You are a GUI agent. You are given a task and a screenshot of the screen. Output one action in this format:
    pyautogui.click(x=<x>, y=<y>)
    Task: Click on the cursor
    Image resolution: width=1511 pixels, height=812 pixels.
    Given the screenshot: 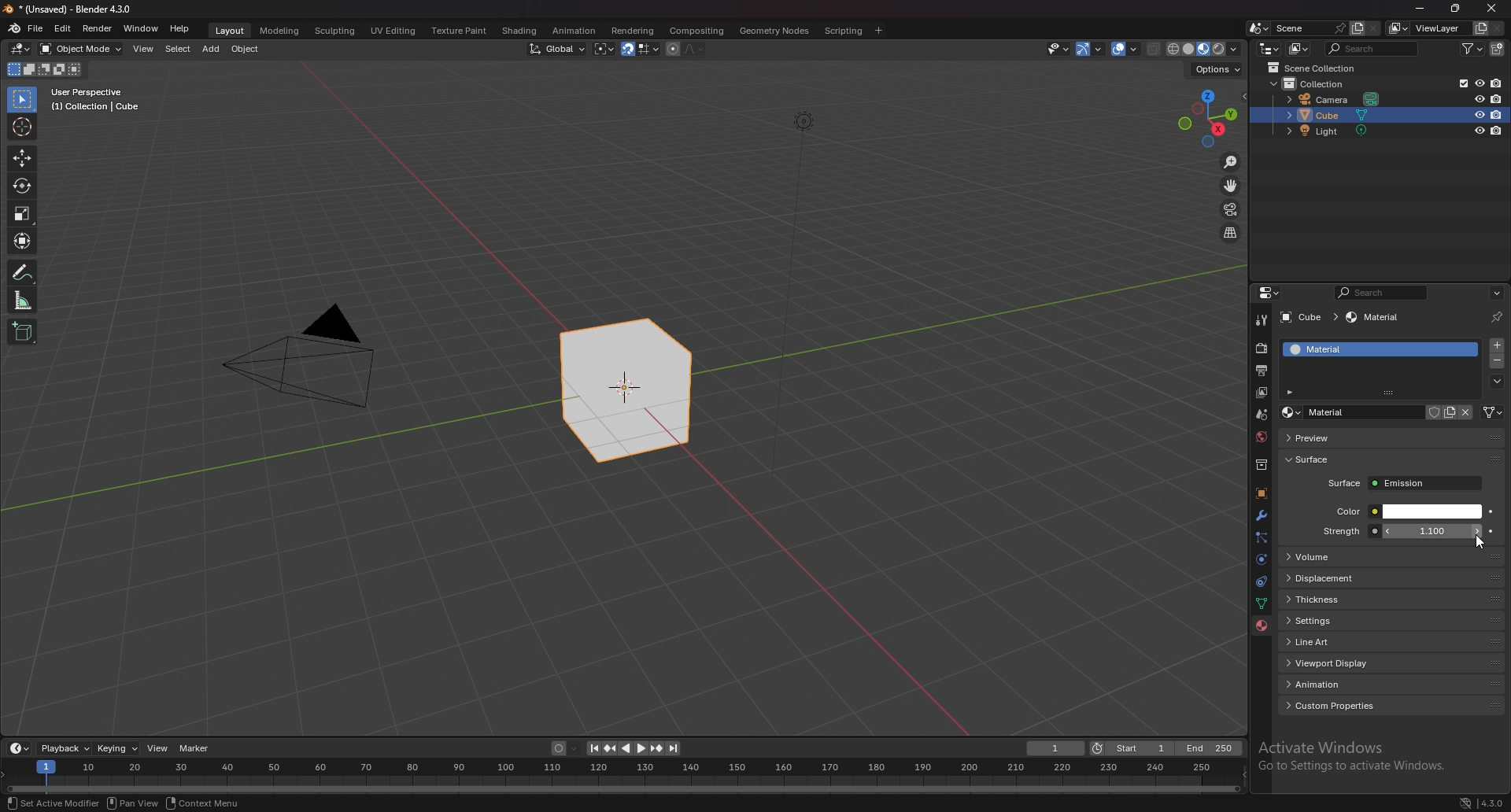 What is the action you would take?
    pyautogui.click(x=23, y=126)
    